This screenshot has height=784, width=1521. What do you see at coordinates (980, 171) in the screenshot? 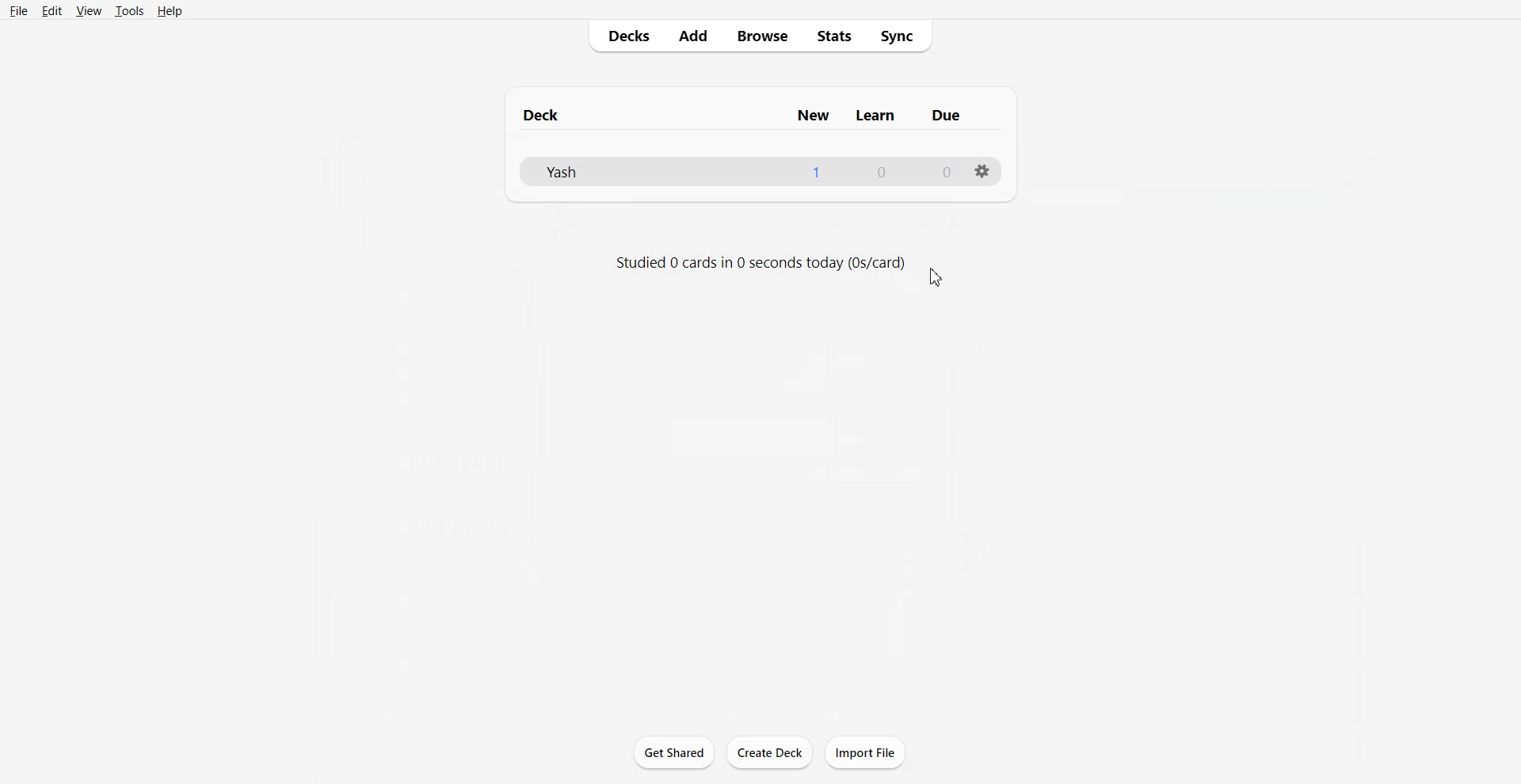
I see `Settings` at bounding box center [980, 171].